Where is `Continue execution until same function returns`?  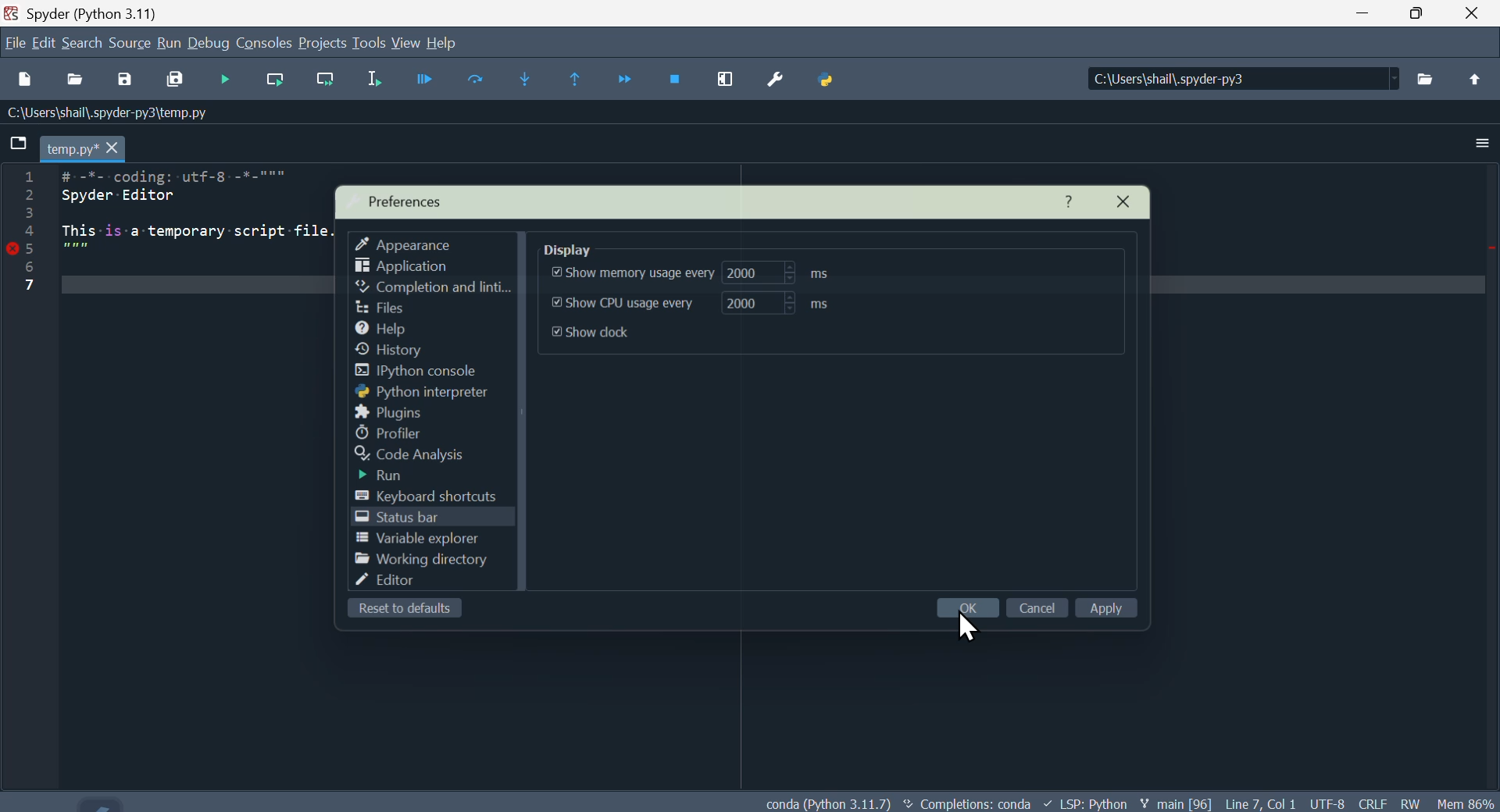 Continue execution until same function returns is located at coordinates (577, 81).